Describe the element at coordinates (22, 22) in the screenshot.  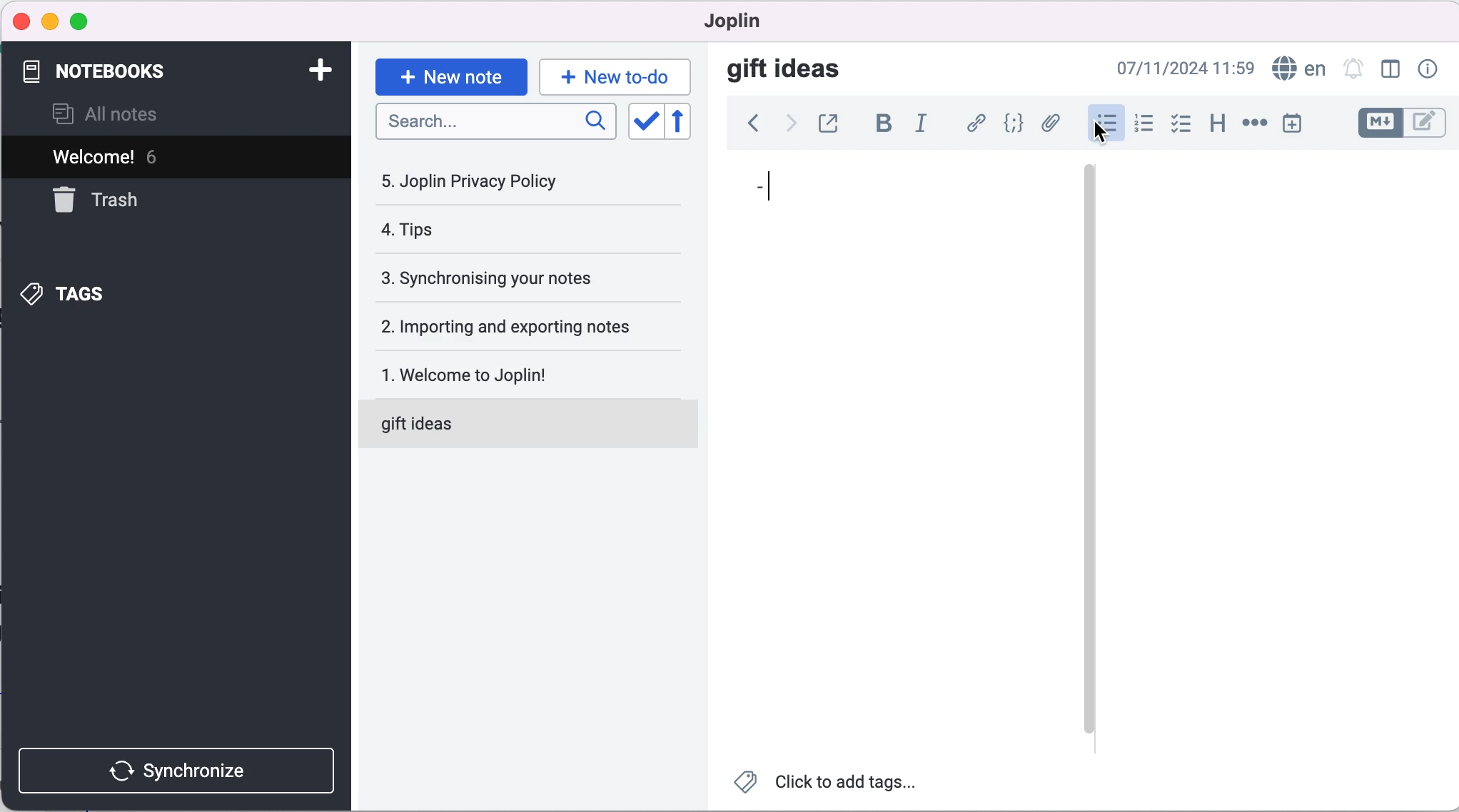
I see `close` at that location.